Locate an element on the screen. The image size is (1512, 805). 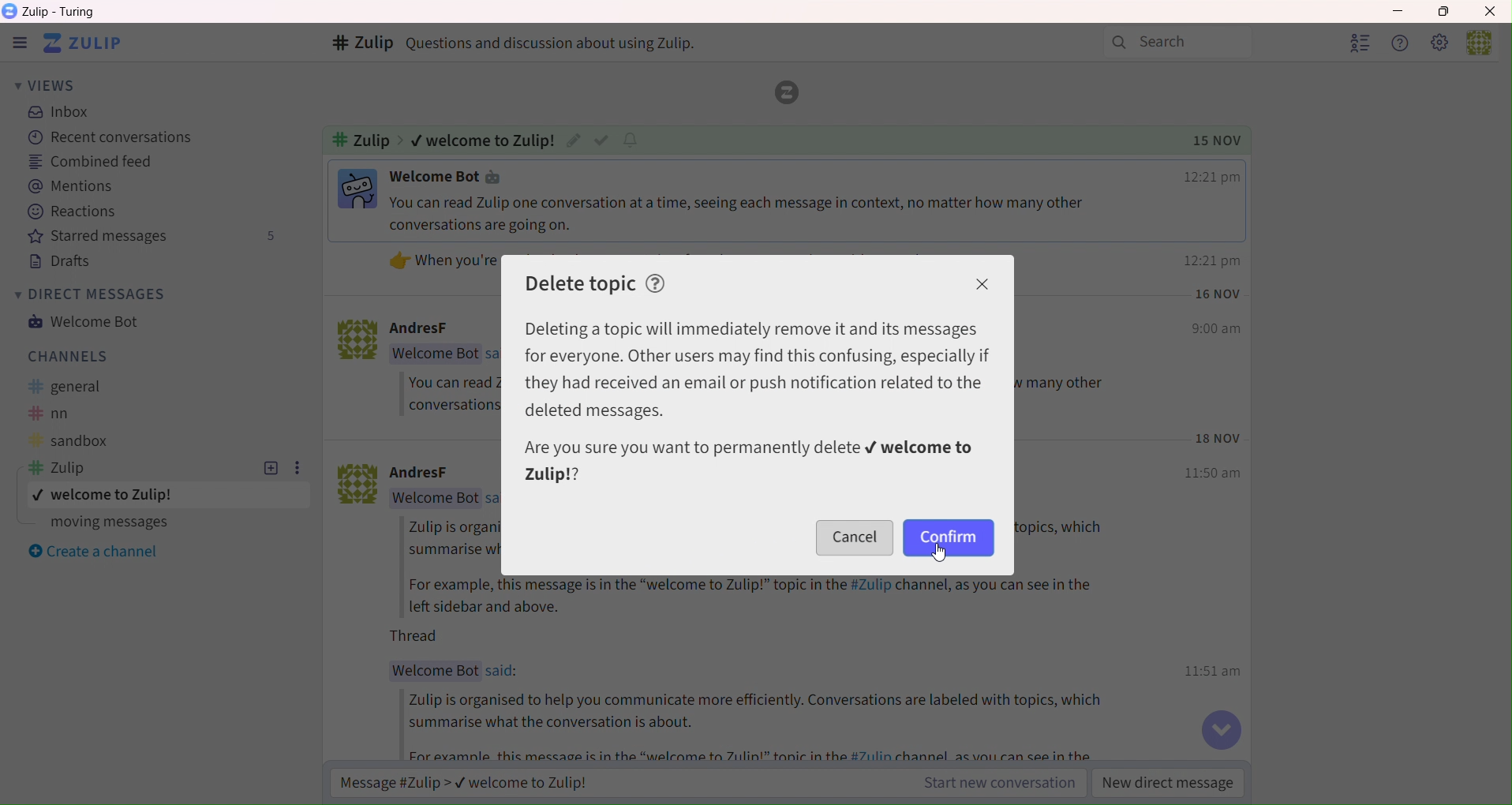
Image is located at coordinates (357, 341).